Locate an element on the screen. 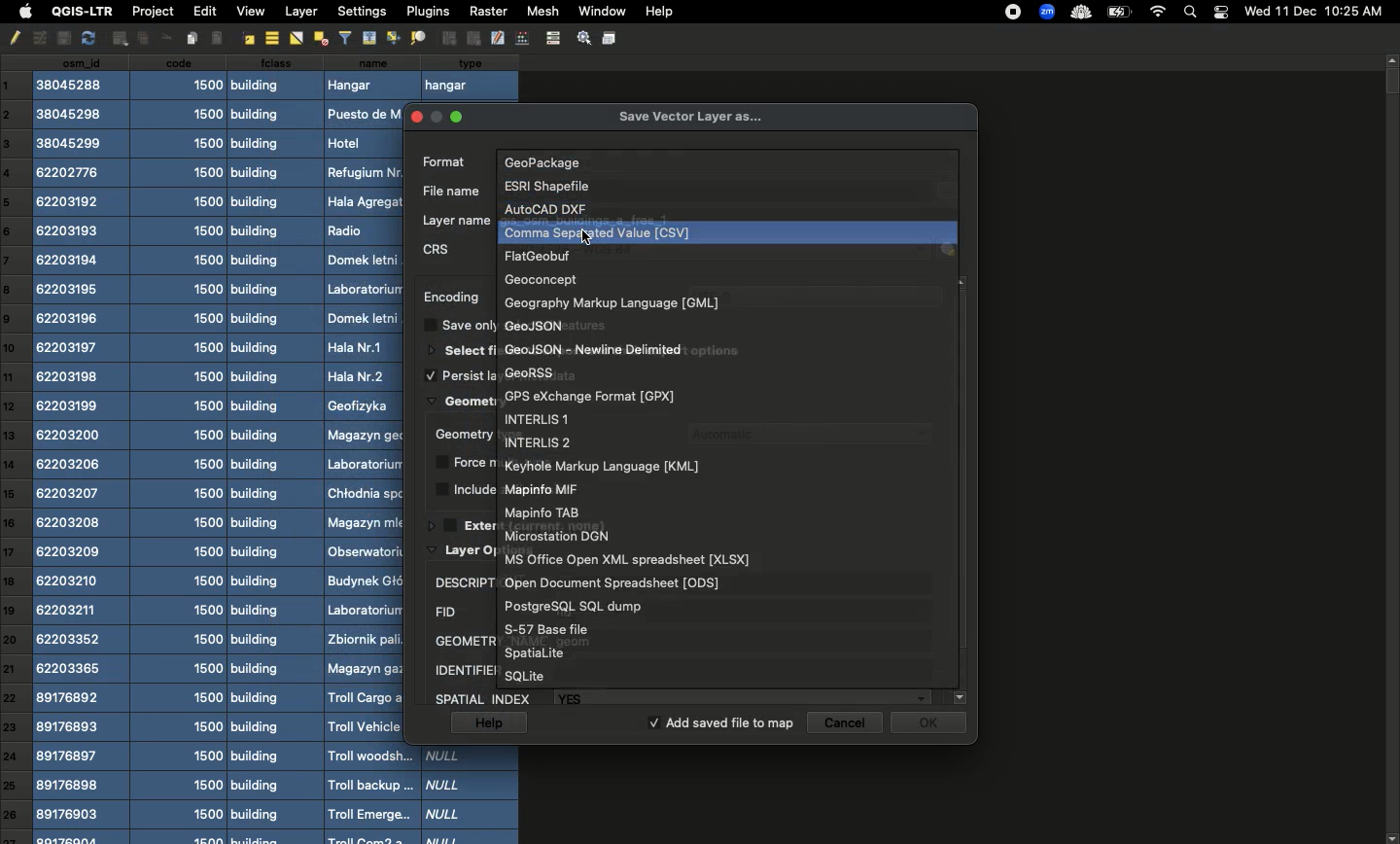 This screenshot has width=1400, height=844. Plugins is located at coordinates (426, 11).